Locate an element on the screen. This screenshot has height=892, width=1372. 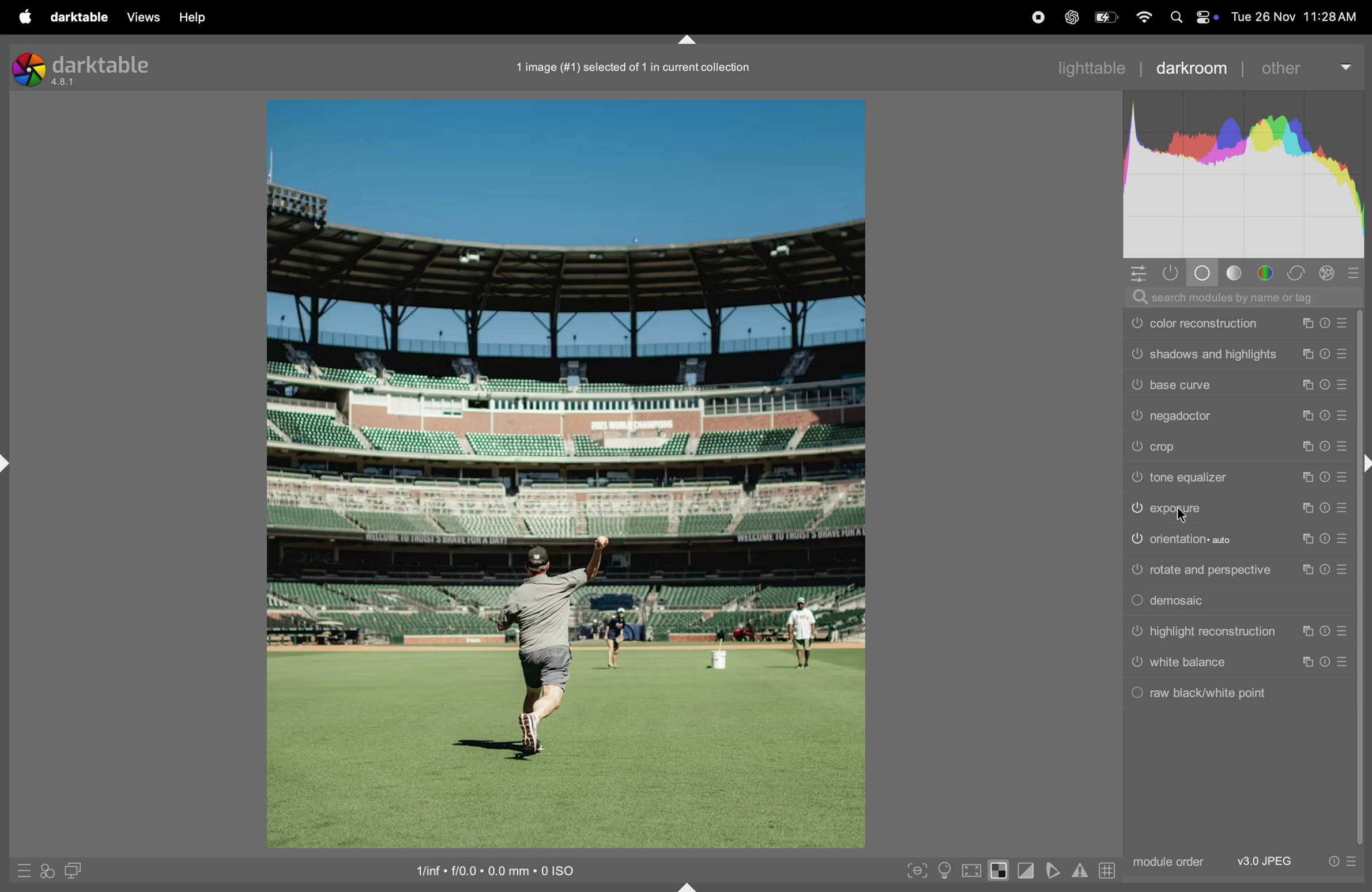
reset presets is located at coordinates (1325, 539).